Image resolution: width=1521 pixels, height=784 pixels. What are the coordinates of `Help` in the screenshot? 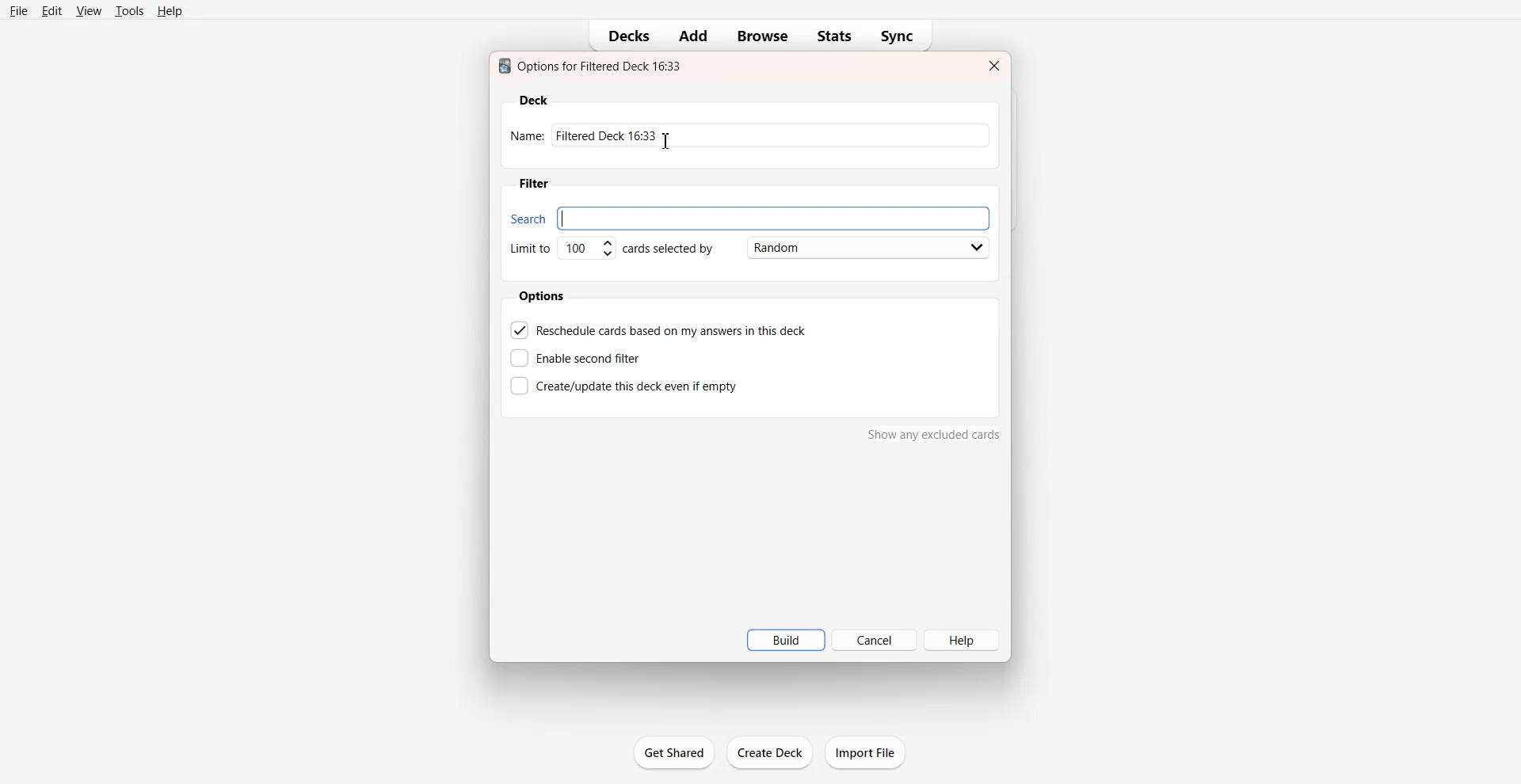 It's located at (171, 11).